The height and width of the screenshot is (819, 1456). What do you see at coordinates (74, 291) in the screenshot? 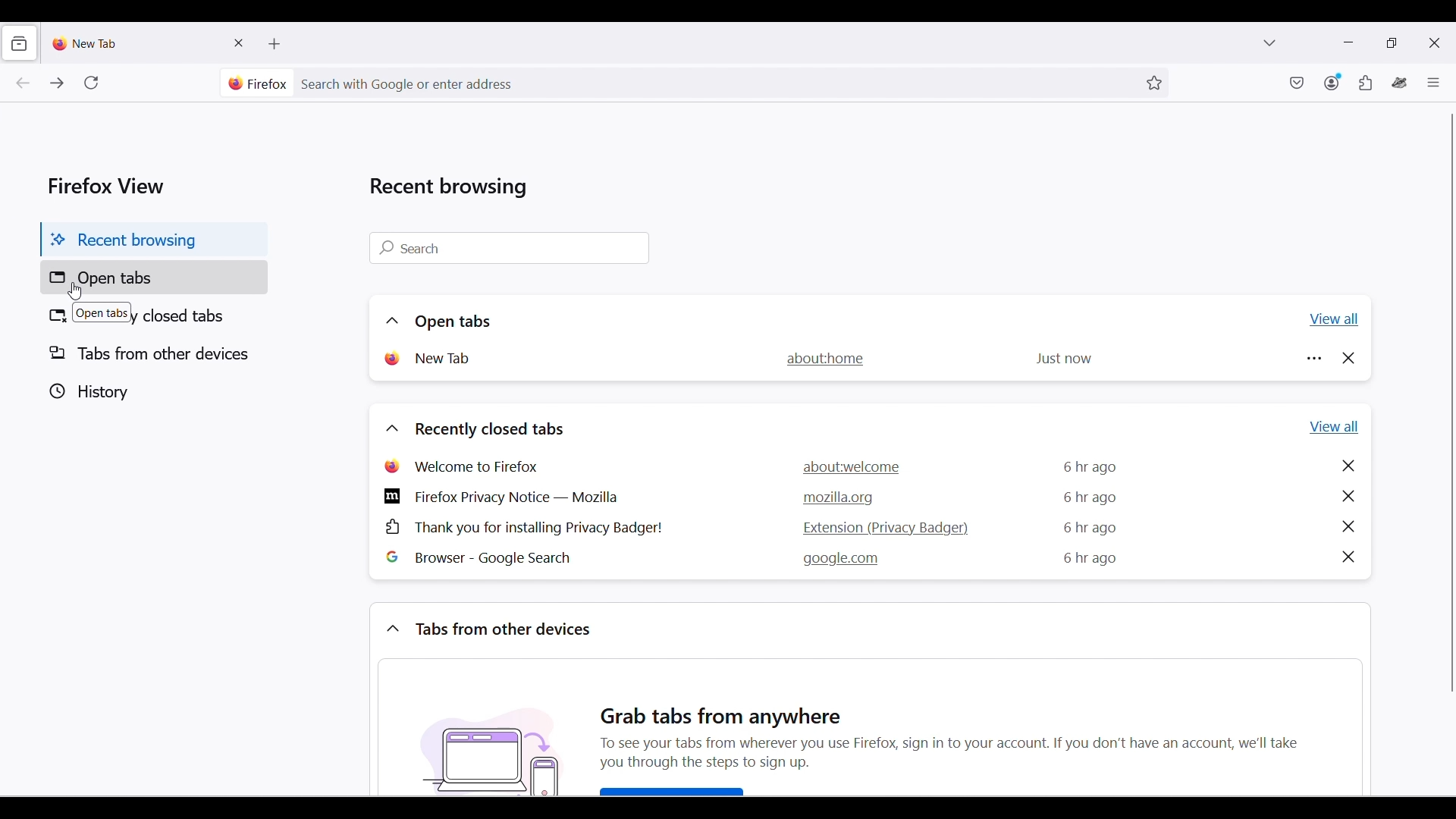
I see `Cursor clicking on Open Tabs` at bounding box center [74, 291].